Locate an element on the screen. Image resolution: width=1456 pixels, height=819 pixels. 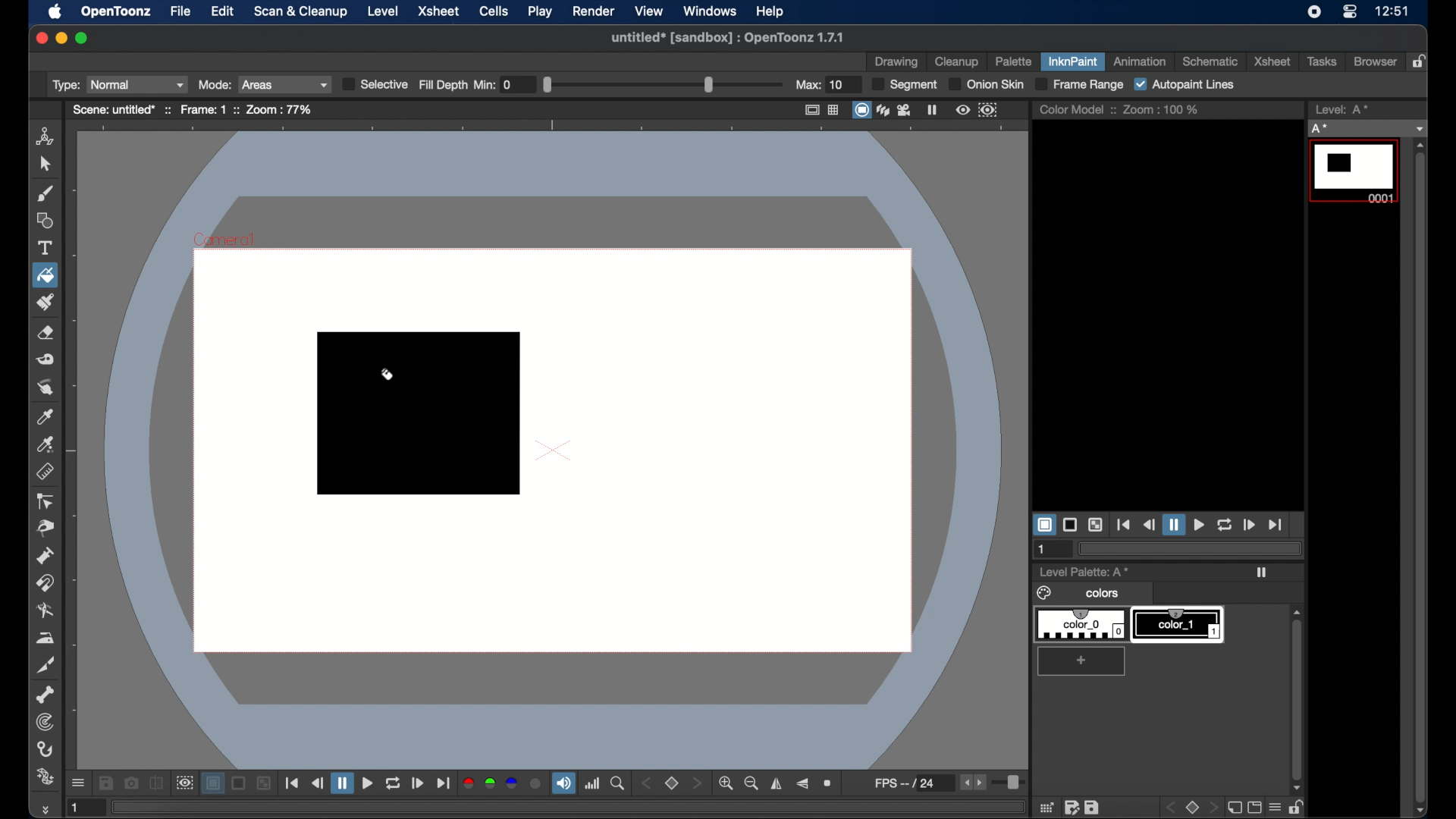
zoom : 100% is located at coordinates (1161, 109).